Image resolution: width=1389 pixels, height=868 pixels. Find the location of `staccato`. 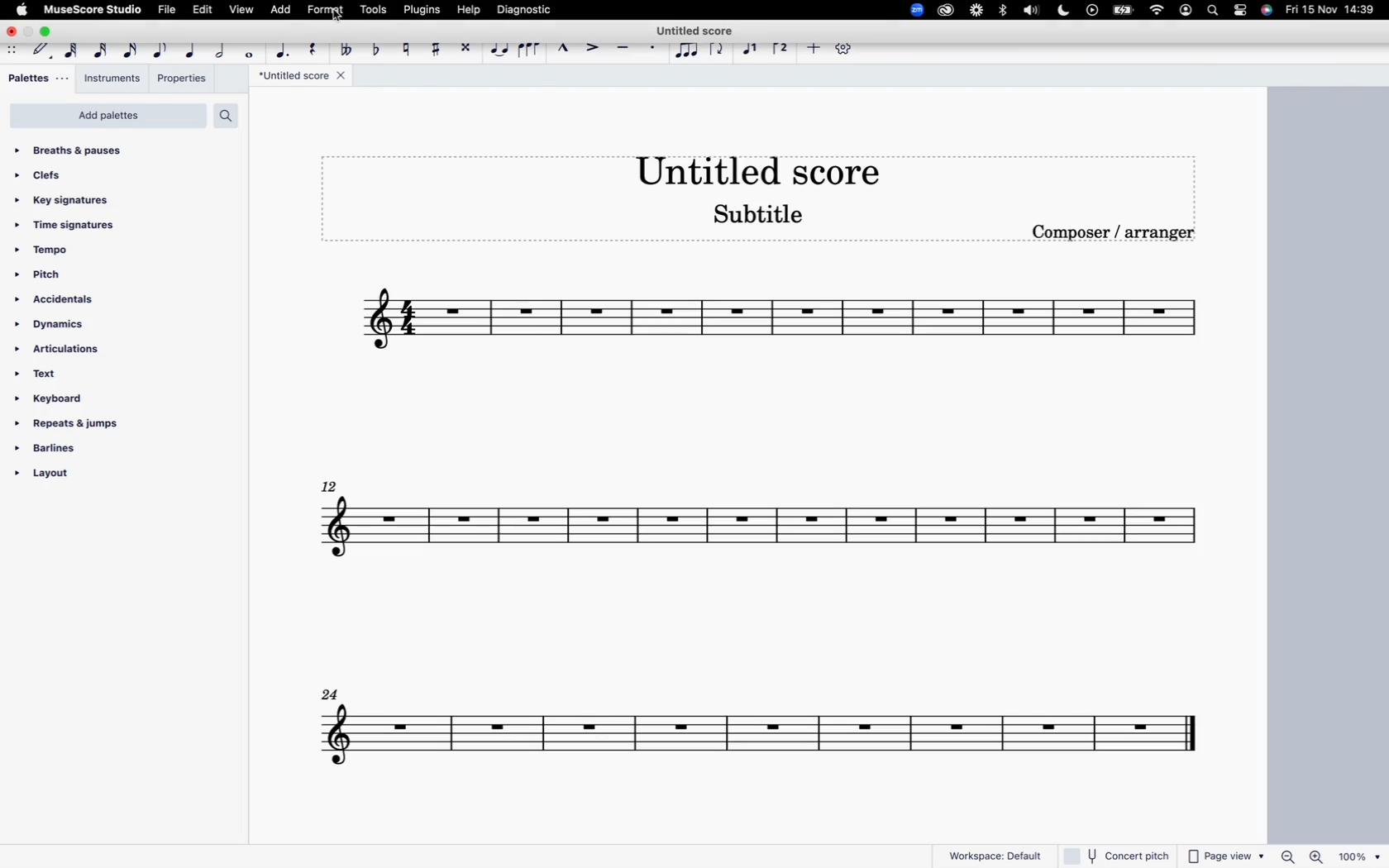

staccato is located at coordinates (652, 53).